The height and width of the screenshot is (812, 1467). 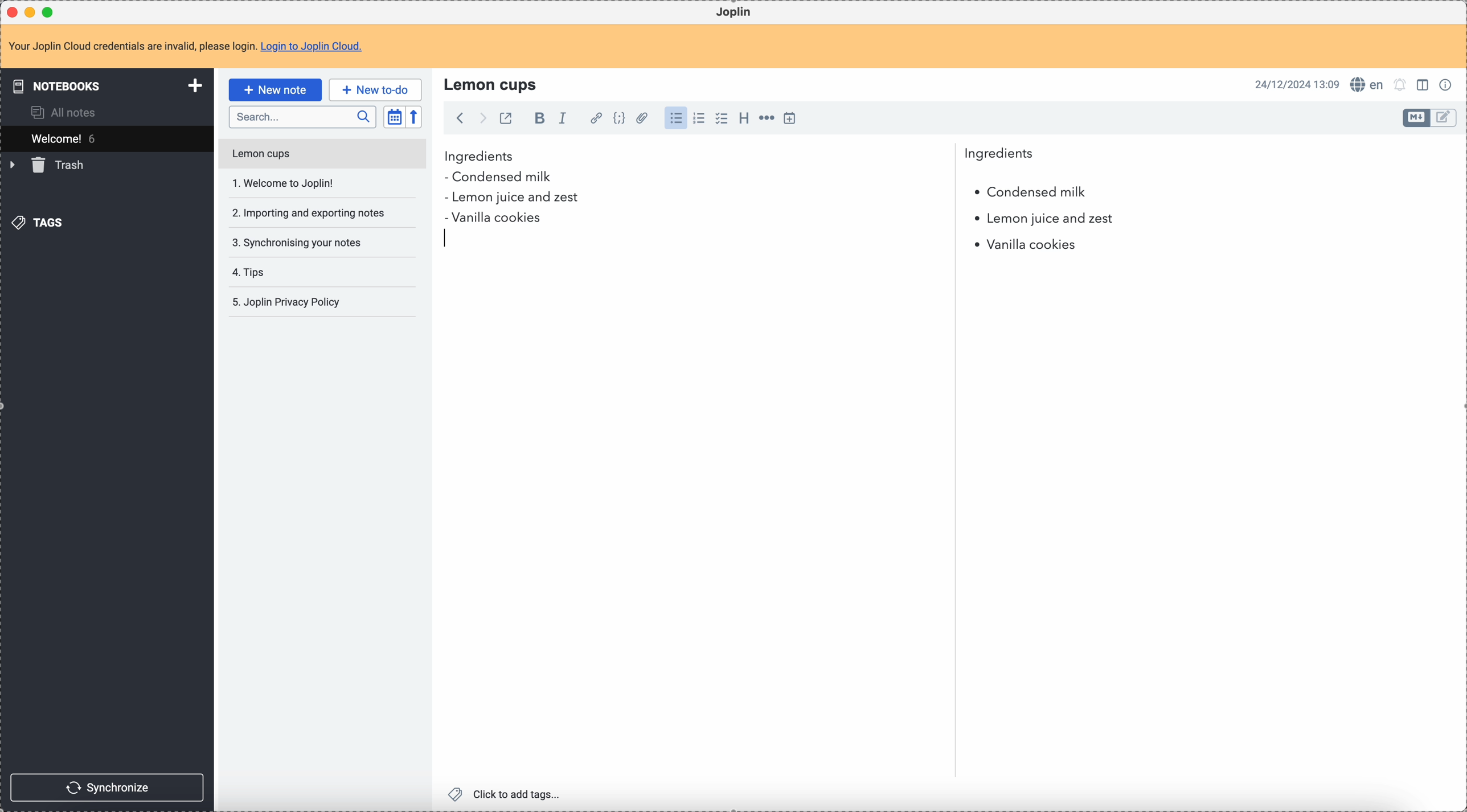 What do you see at coordinates (1448, 84) in the screenshot?
I see `note properties` at bounding box center [1448, 84].